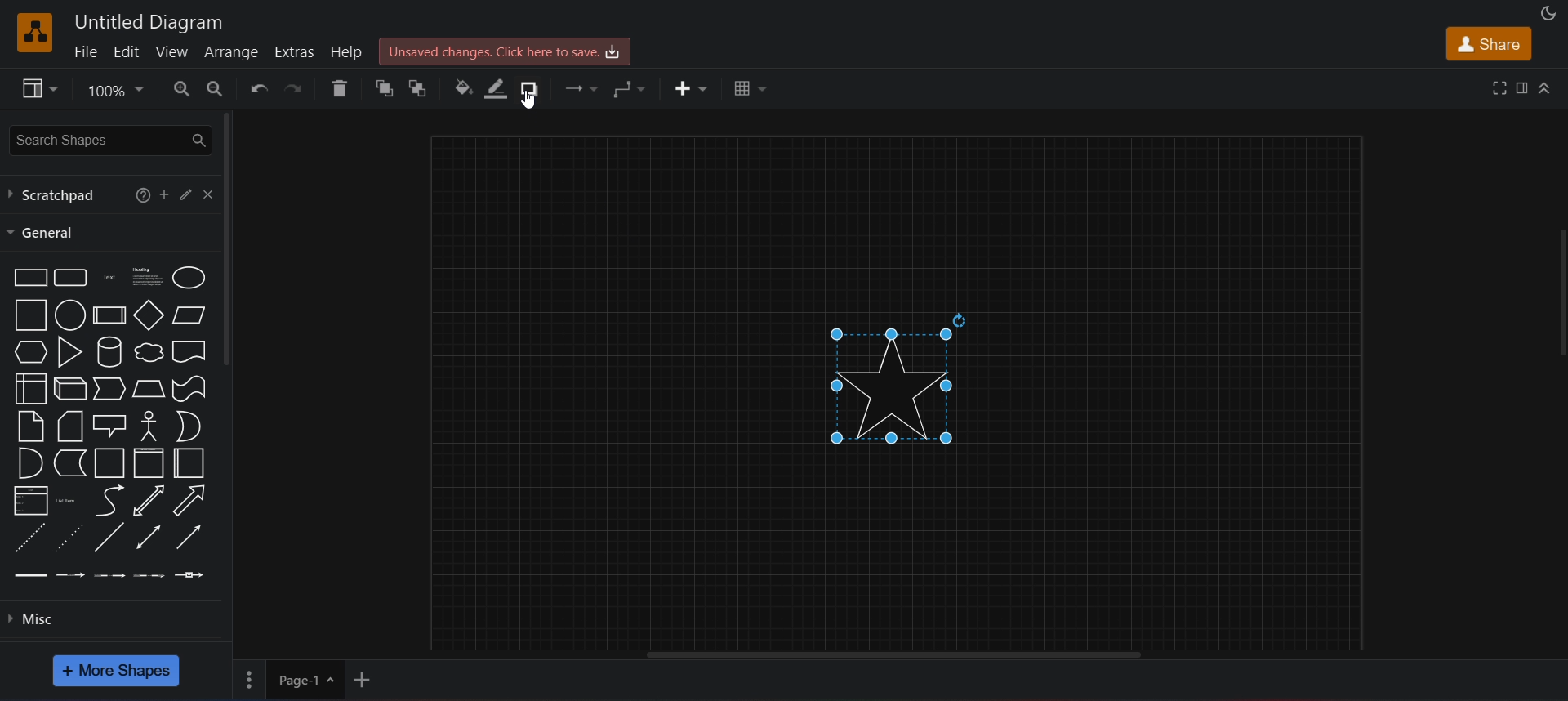 Image resolution: width=1568 pixels, height=701 pixels. What do you see at coordinates (534, 88) in the screenshot?
I see `shadow` at bounding box center [534, 88].